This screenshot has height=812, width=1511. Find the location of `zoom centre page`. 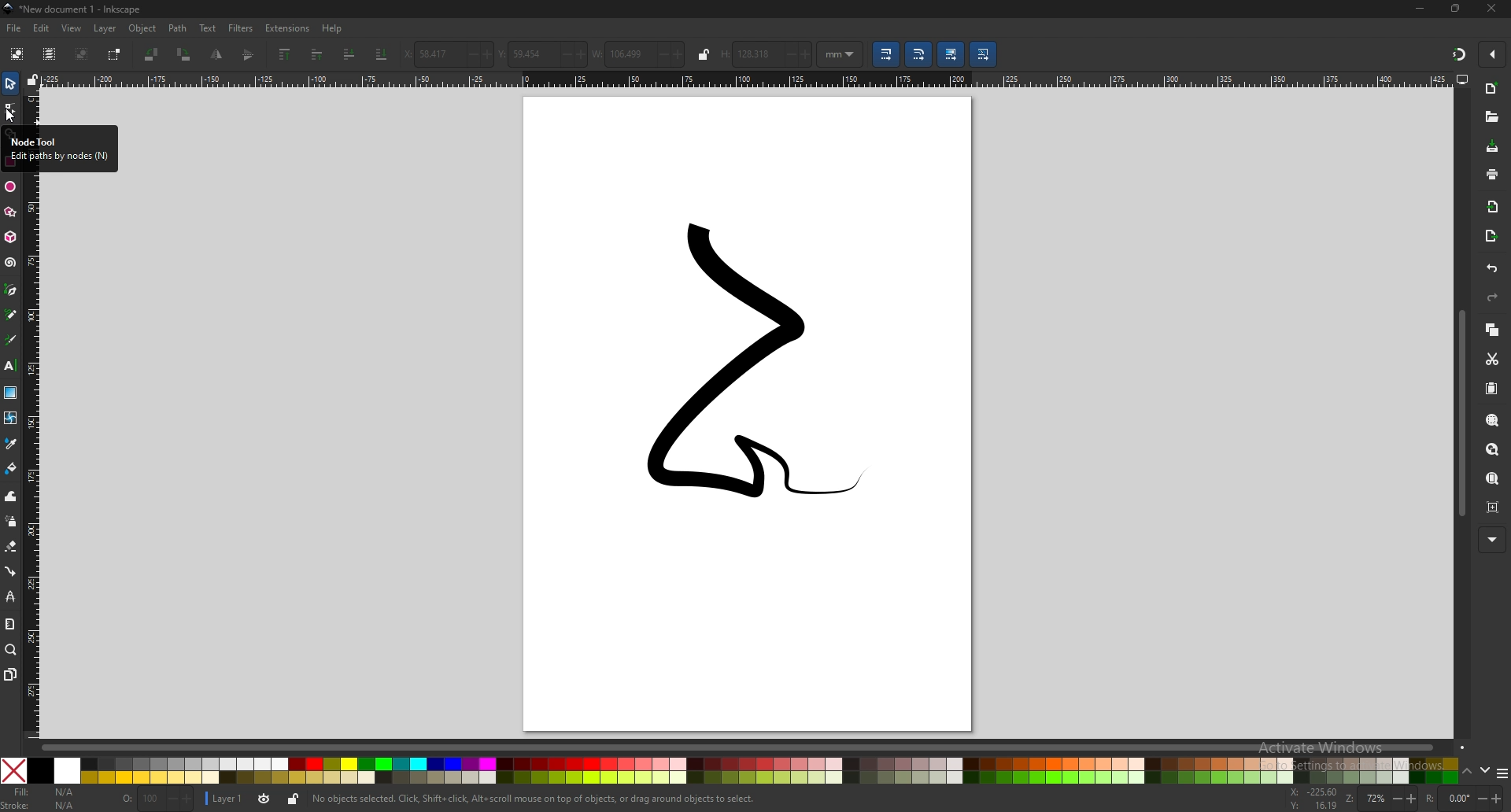

zoom centre page is located at coordinates (1493, 507).